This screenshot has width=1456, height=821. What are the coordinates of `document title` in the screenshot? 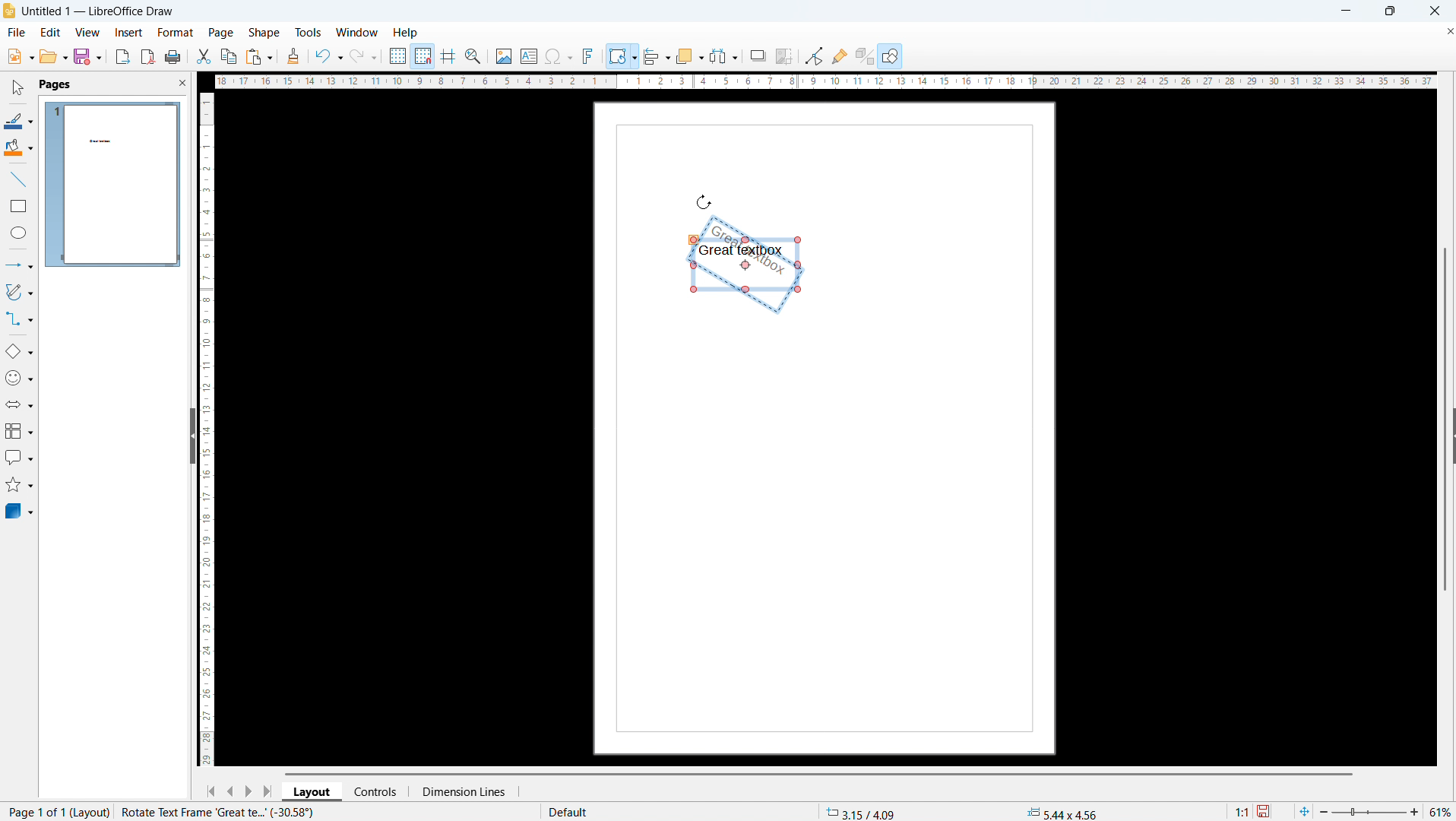 It's located at (100, 11).